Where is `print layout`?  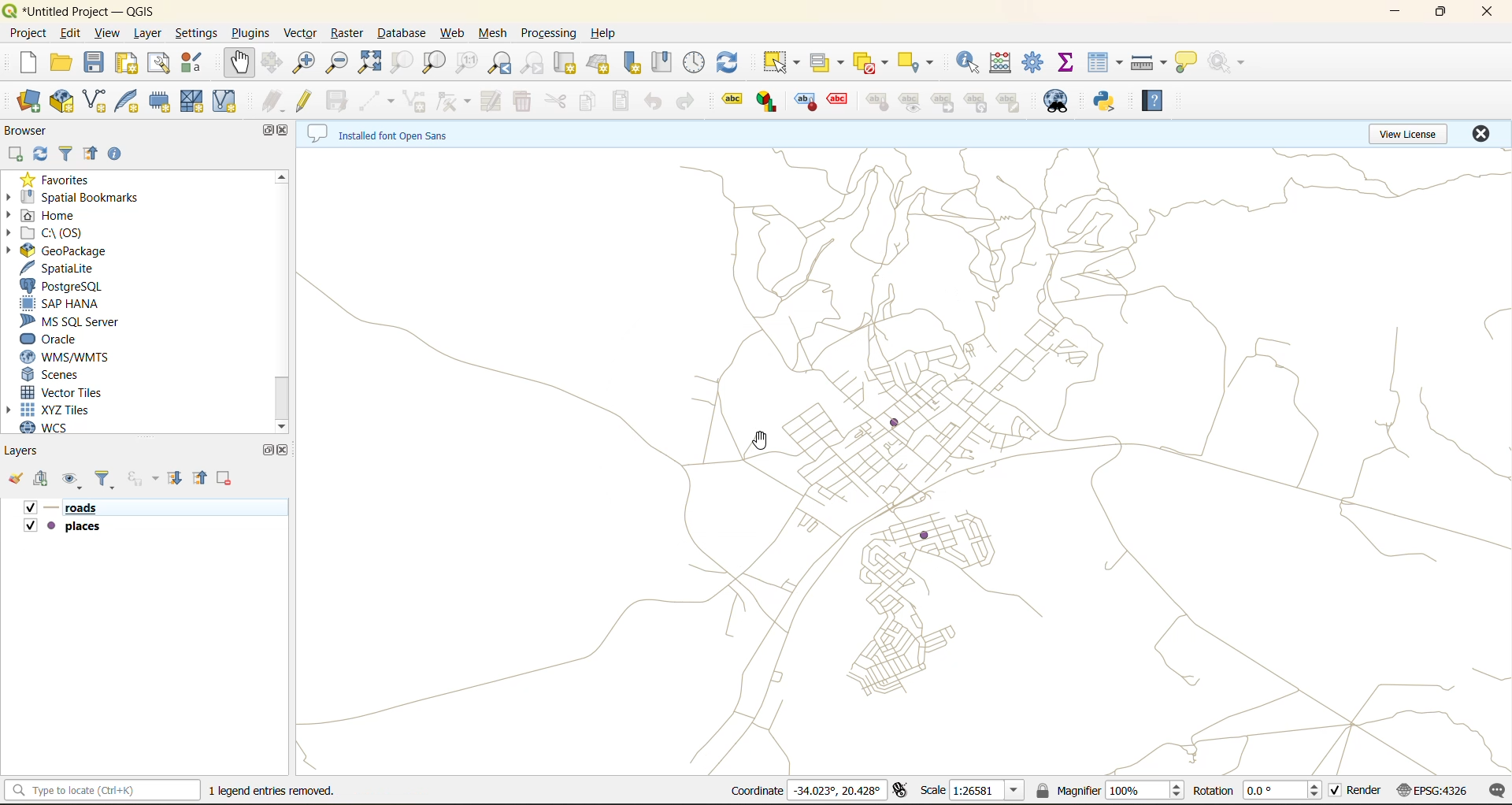
print layout is located at coordinates (128, 65).